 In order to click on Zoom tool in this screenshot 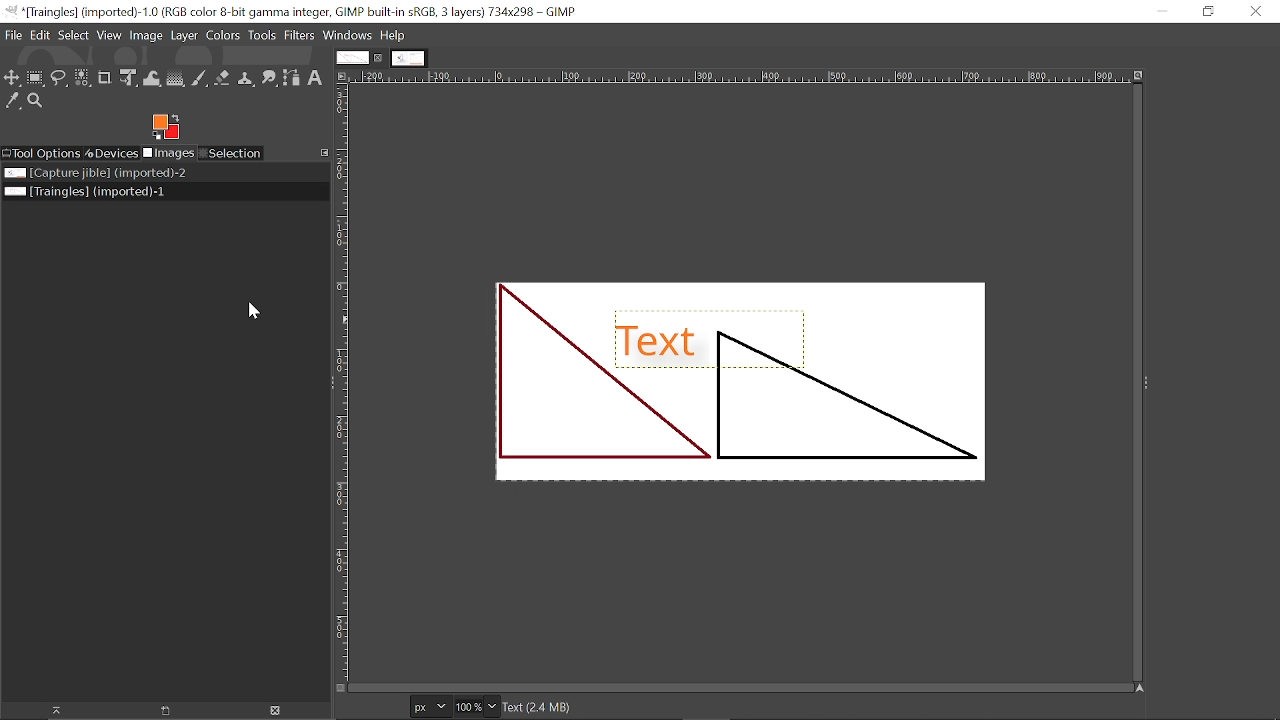, I will do `click(37, 100)`.